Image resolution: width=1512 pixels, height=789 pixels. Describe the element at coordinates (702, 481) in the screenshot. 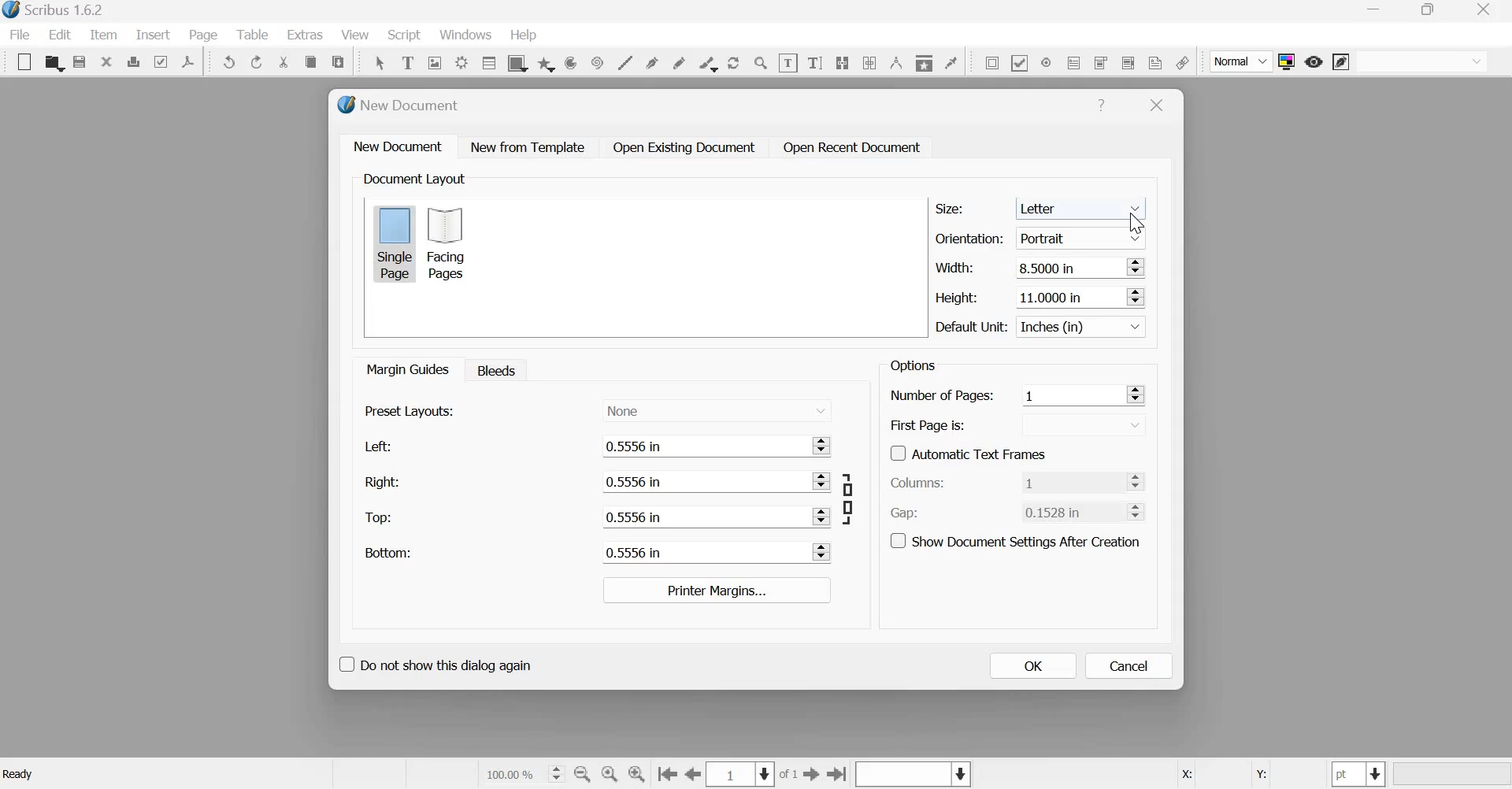

I see `0.5556 in` at that location.